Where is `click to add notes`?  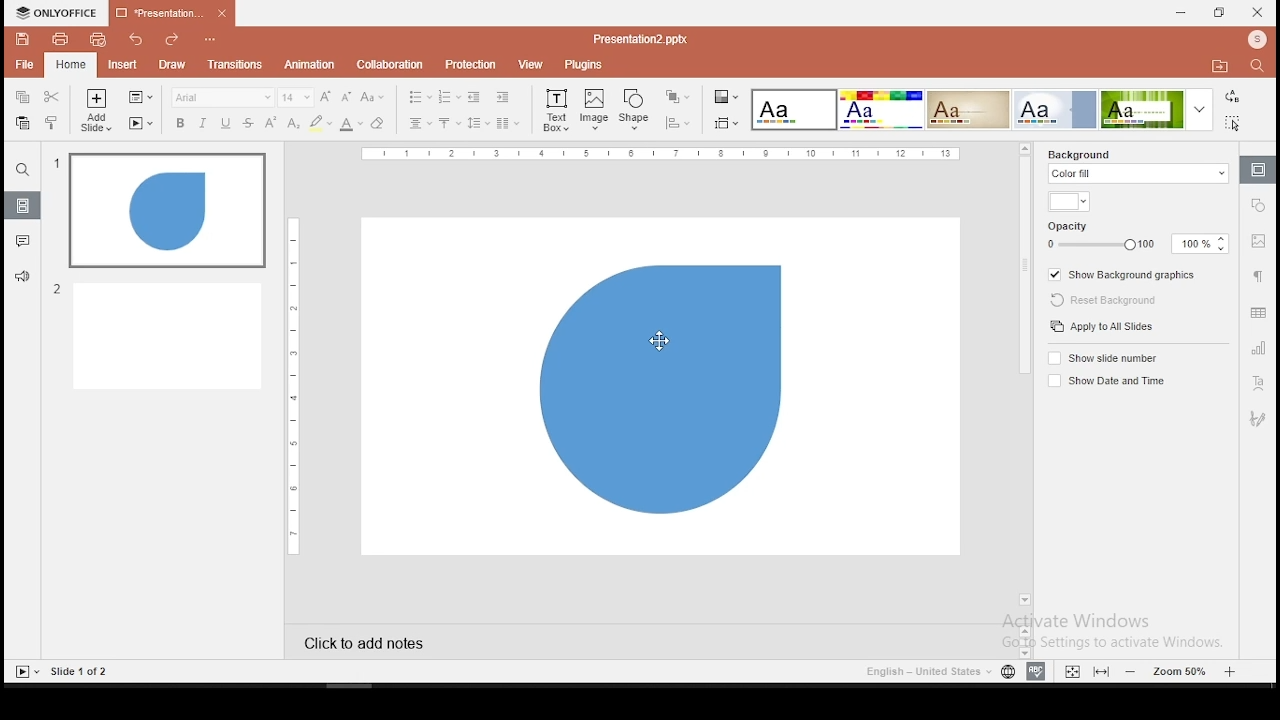 click to add notes is located at coordinates (380, 640).